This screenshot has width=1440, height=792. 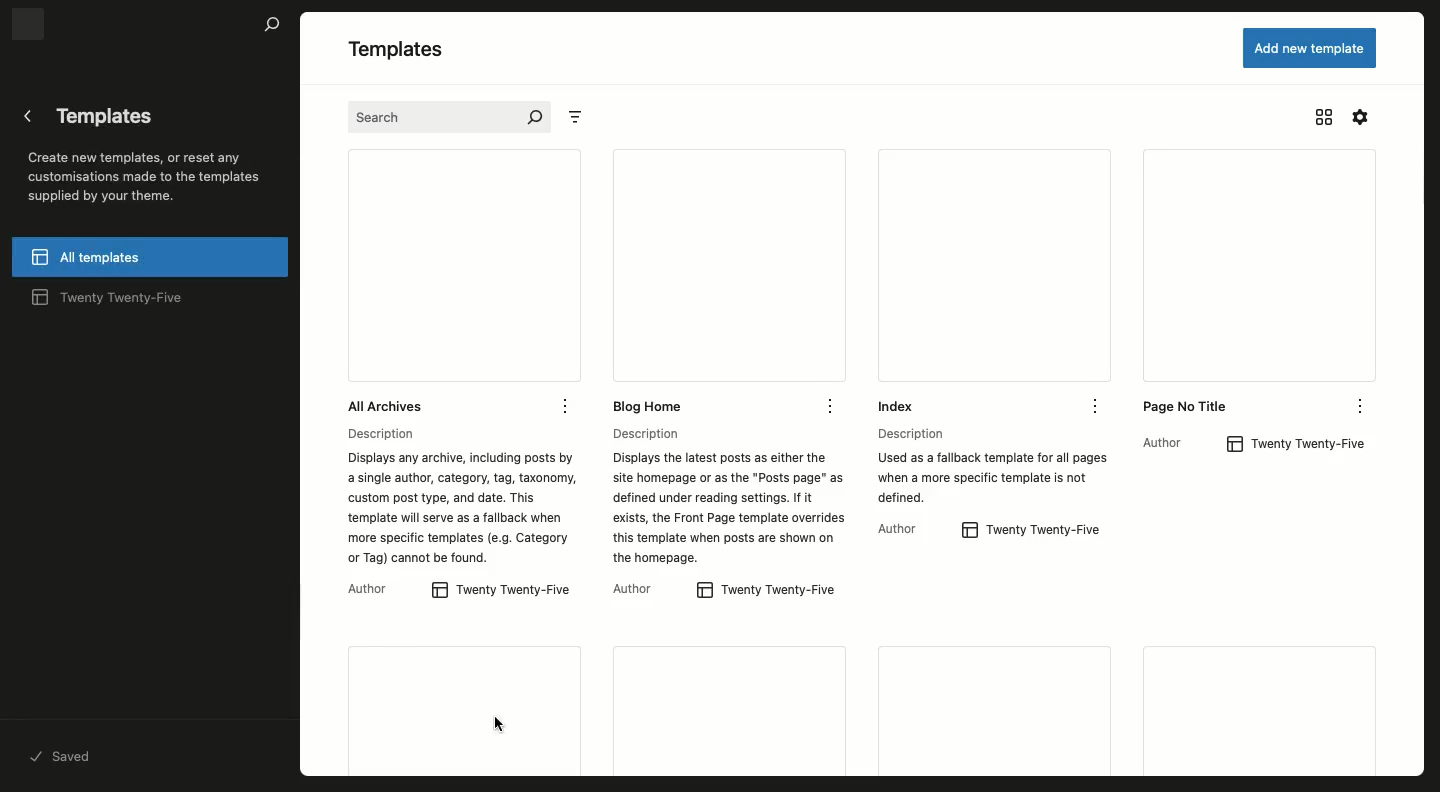 I want to click on Create new templates, or reset any customisations made to the templates supplied by your theme., so click(x=148, y=185).